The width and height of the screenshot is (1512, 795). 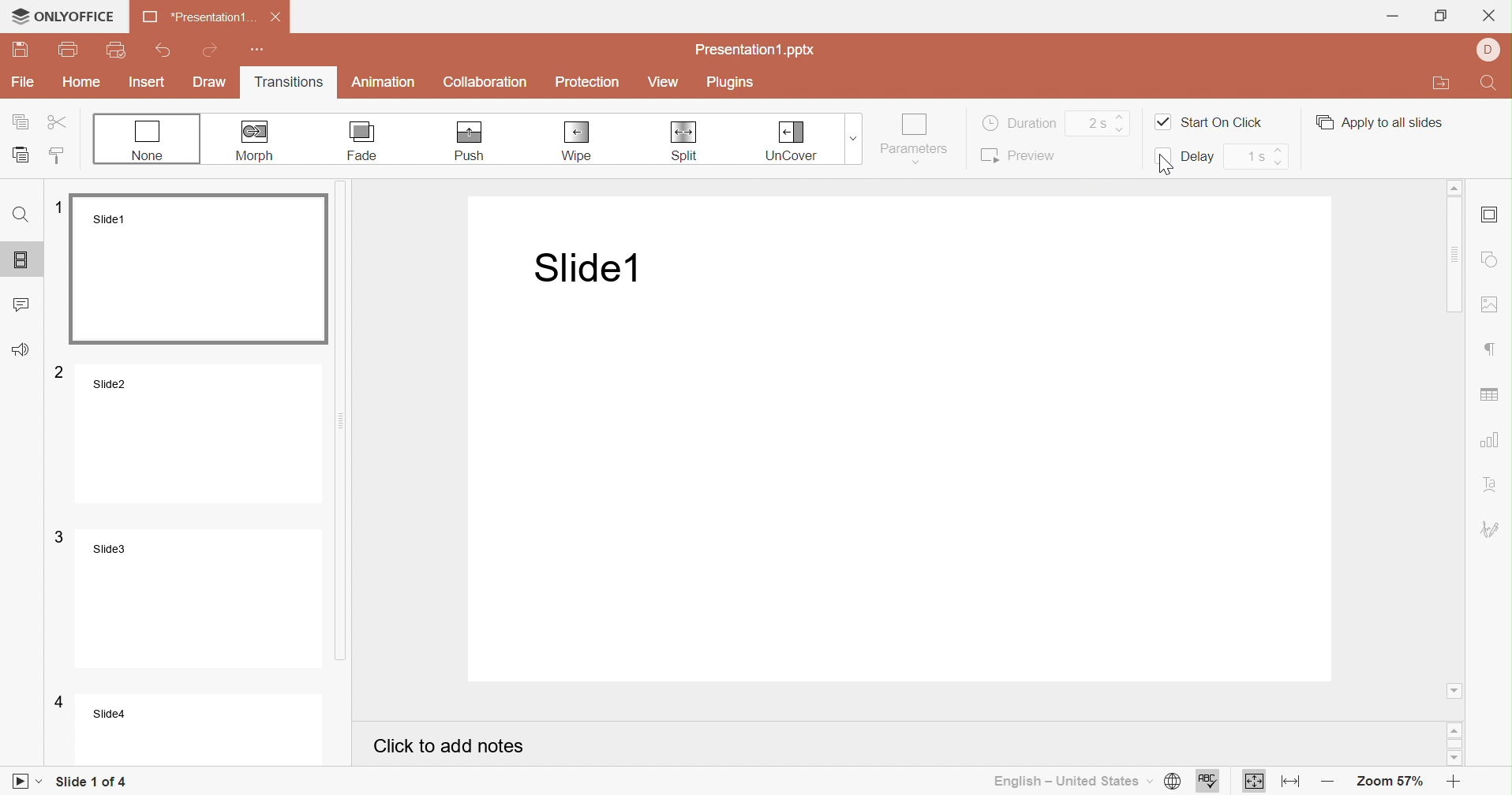 I want to click on Insert table, so click(x=1491, y=396).